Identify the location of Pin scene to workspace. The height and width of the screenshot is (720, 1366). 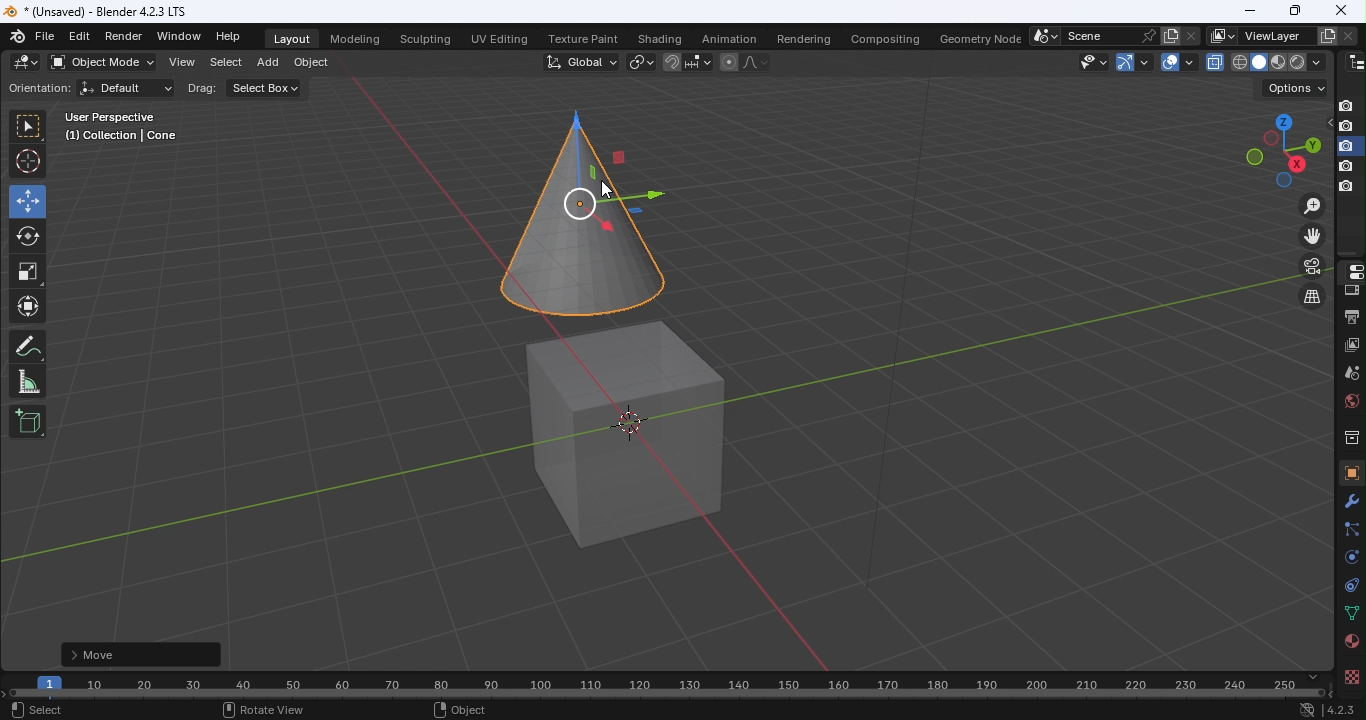
(1147, 35).